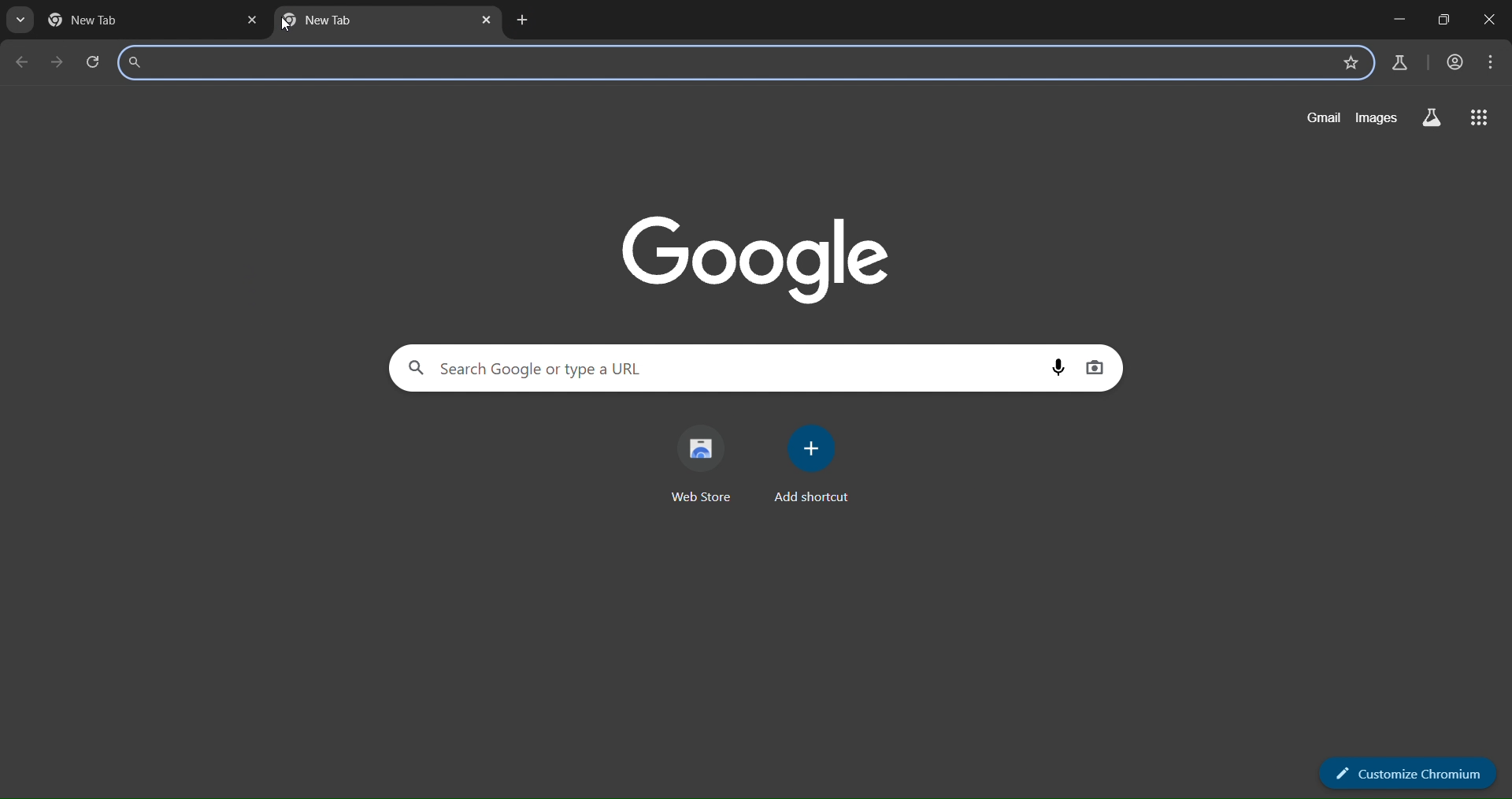 This screenshot has height=799, width=1512. What do you see at coordinates (98, 20) in the screenshot?
I see `current tab` at bounding box center [98, 20].